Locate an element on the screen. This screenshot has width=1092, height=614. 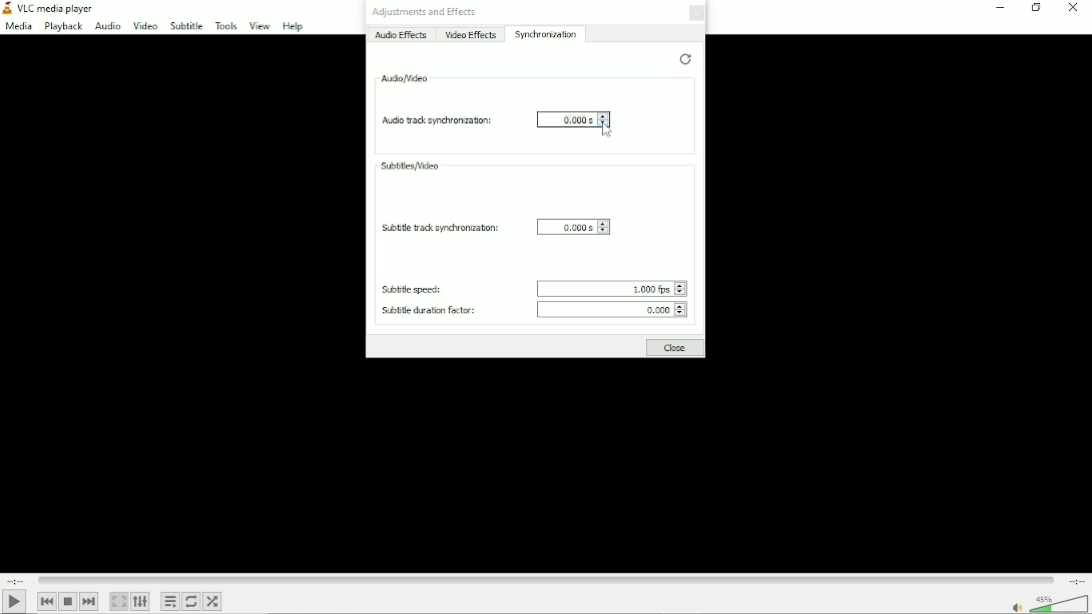
Subtitle track synchronization is located at coordinates (440, 228).